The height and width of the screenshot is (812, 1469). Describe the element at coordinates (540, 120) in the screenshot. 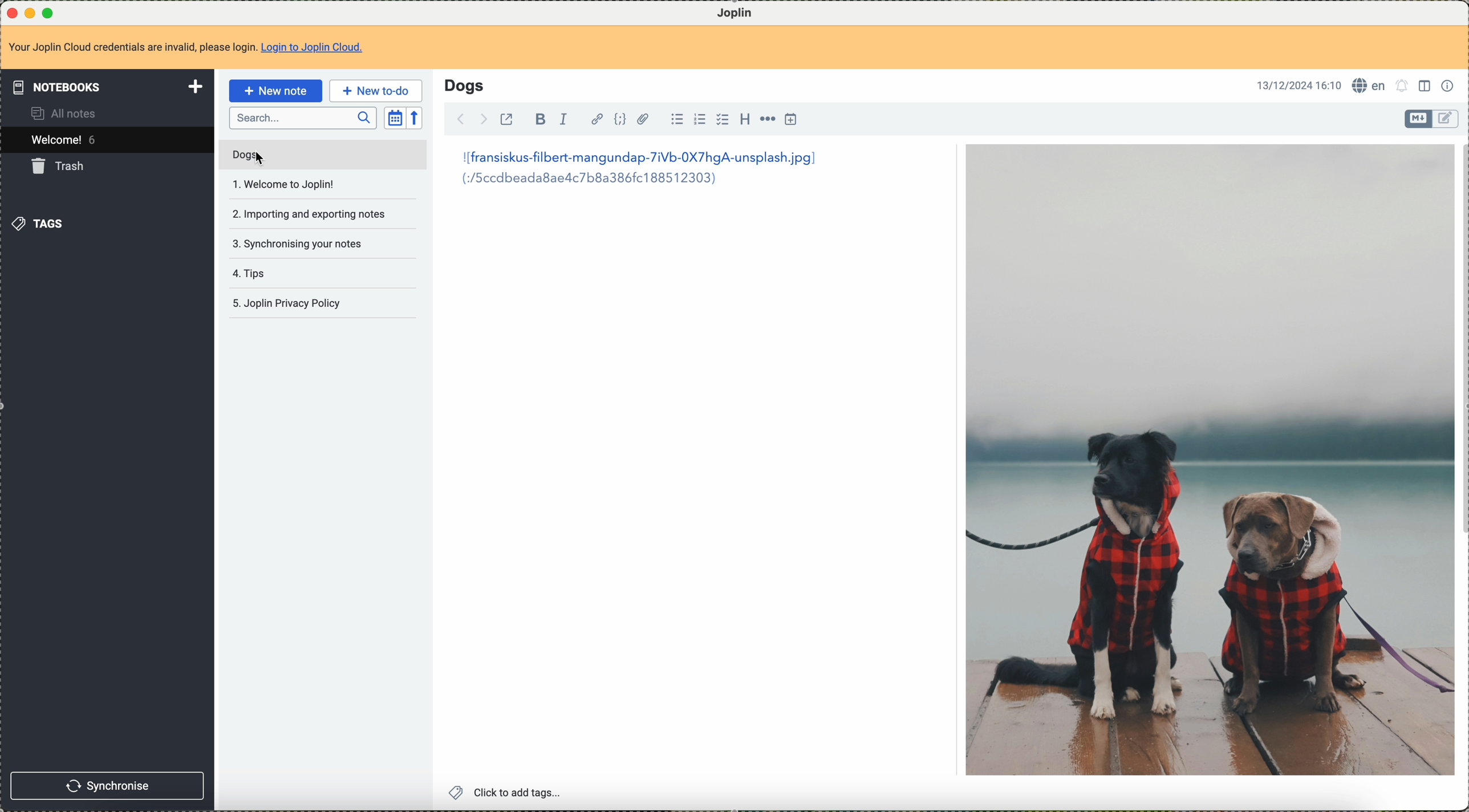

I see `bold` at that location.